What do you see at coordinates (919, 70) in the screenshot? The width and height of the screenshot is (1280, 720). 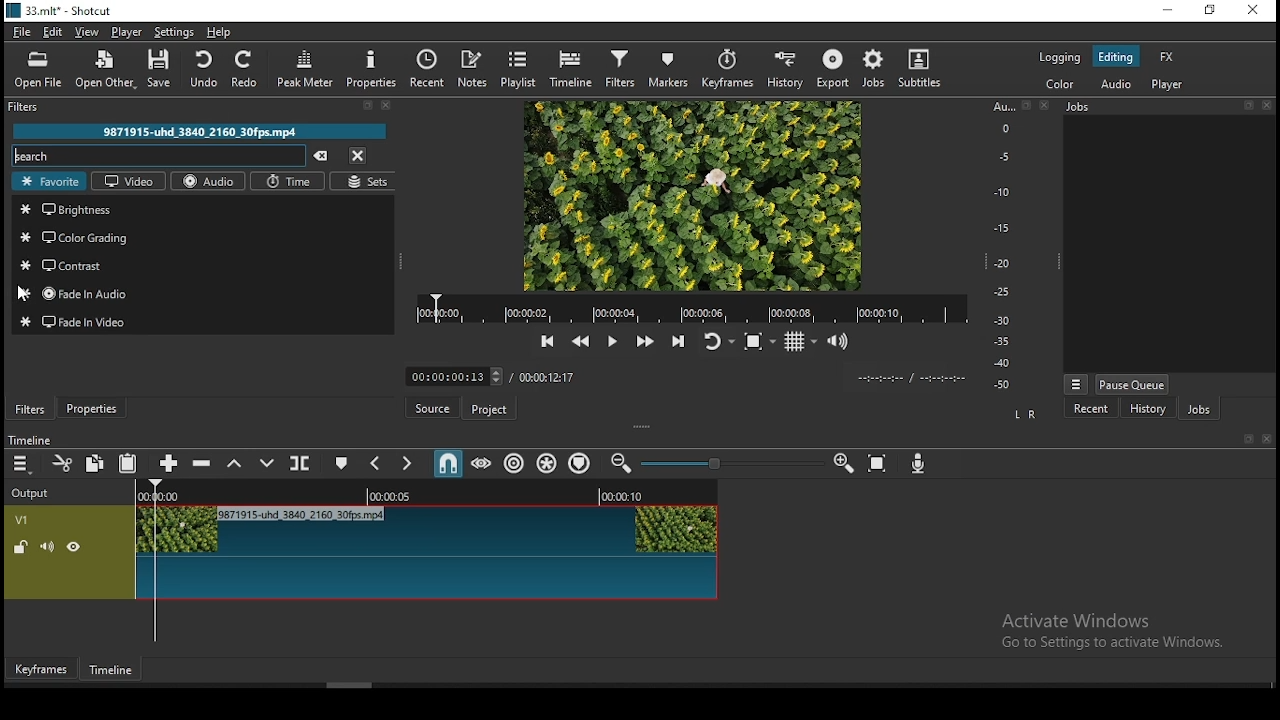 I see `subtitles` at bounding box center [919, 70].